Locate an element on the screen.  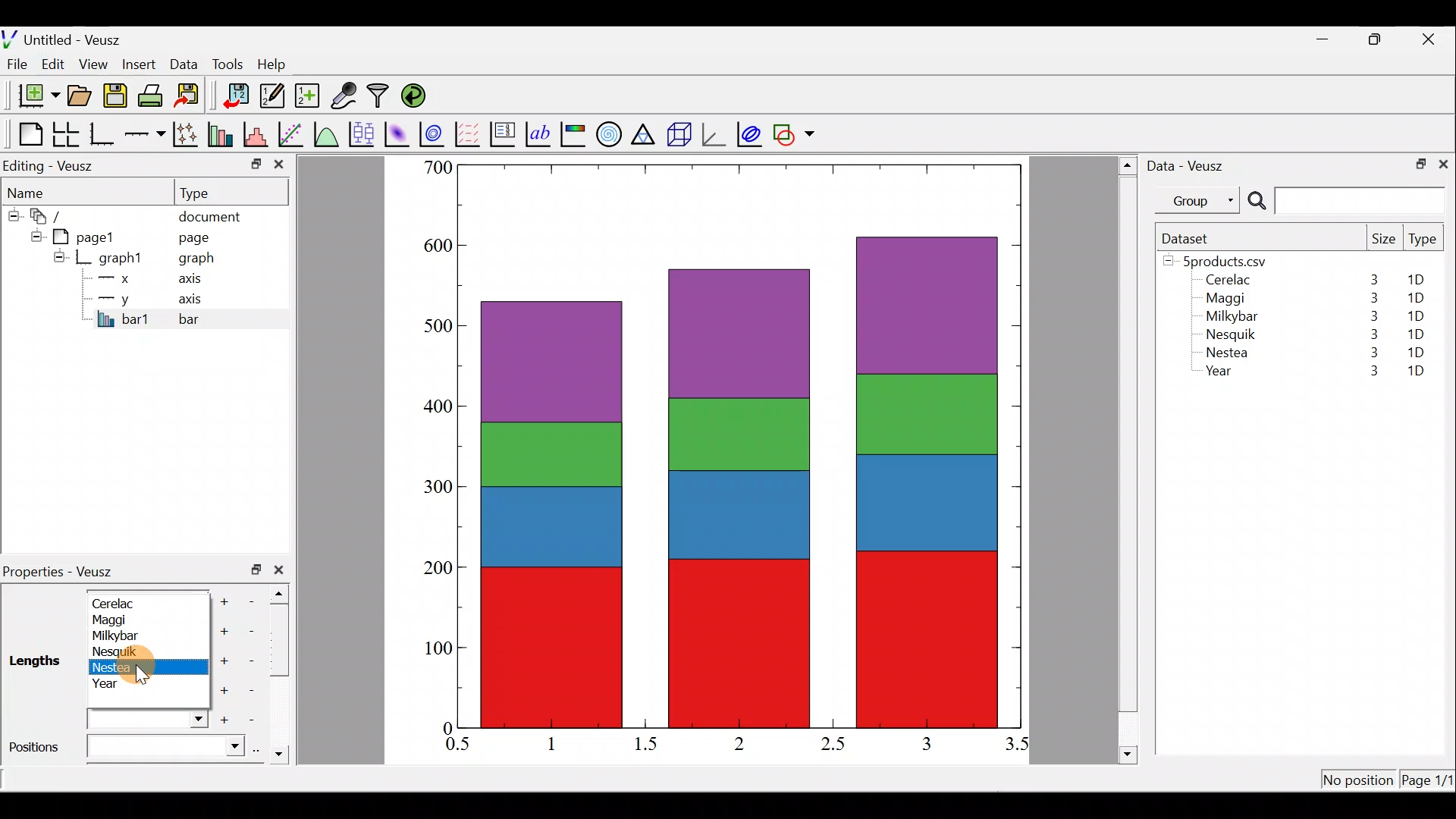
plot covariance ellipses is located at coordinates (751, 133).